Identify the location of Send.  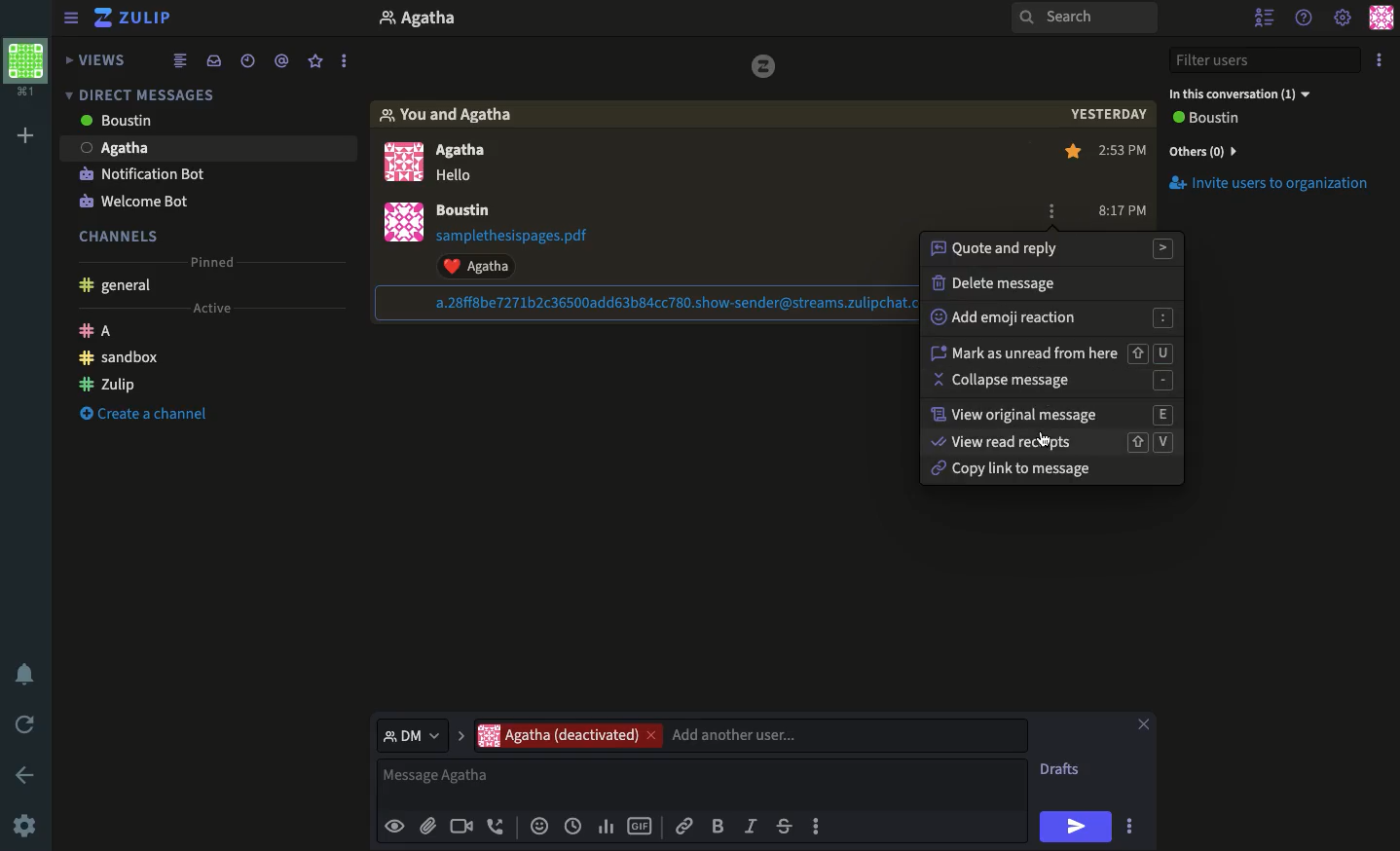
(1076, 827).